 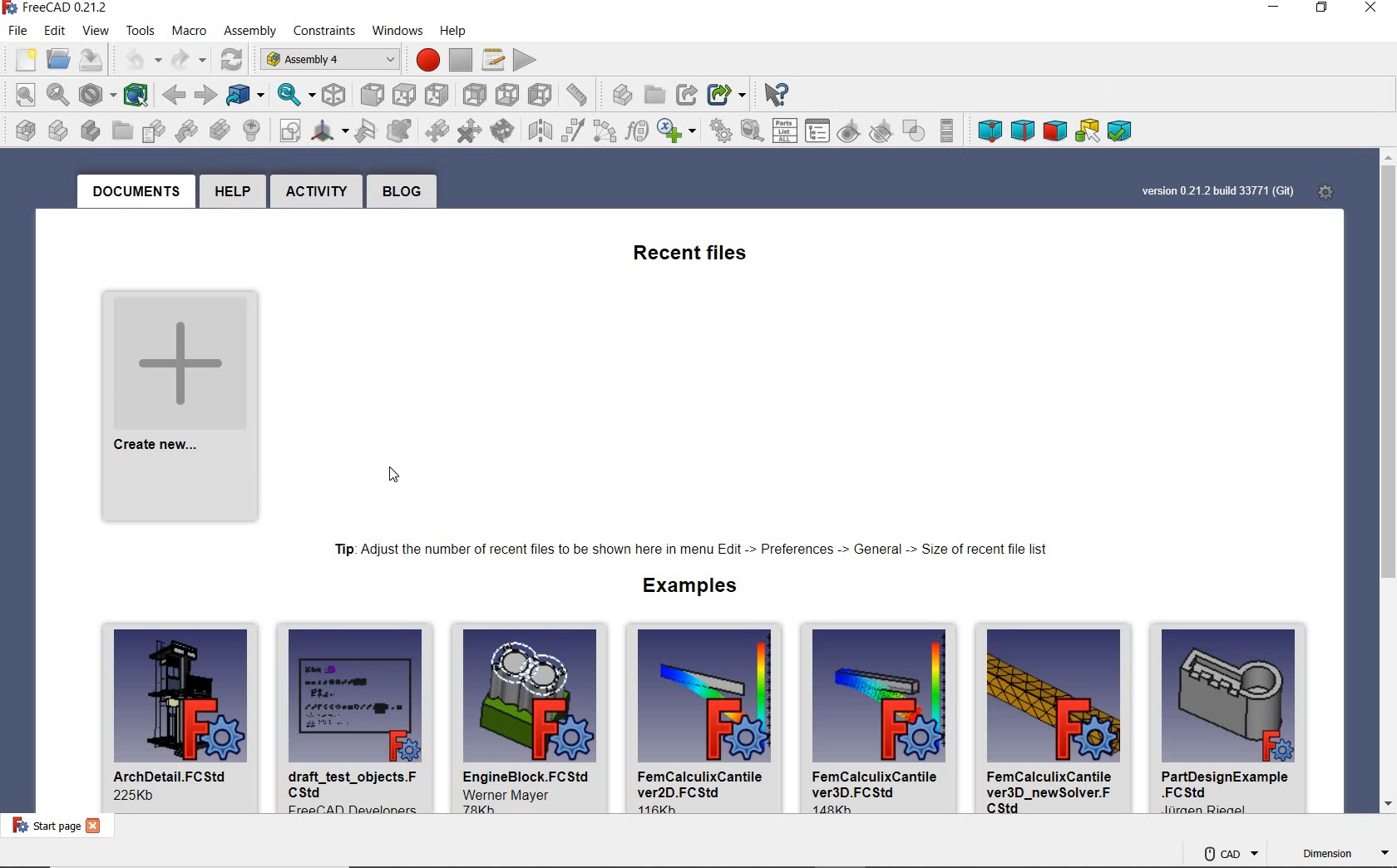 I want to click on create a circular array, so click(x=574, y=132).